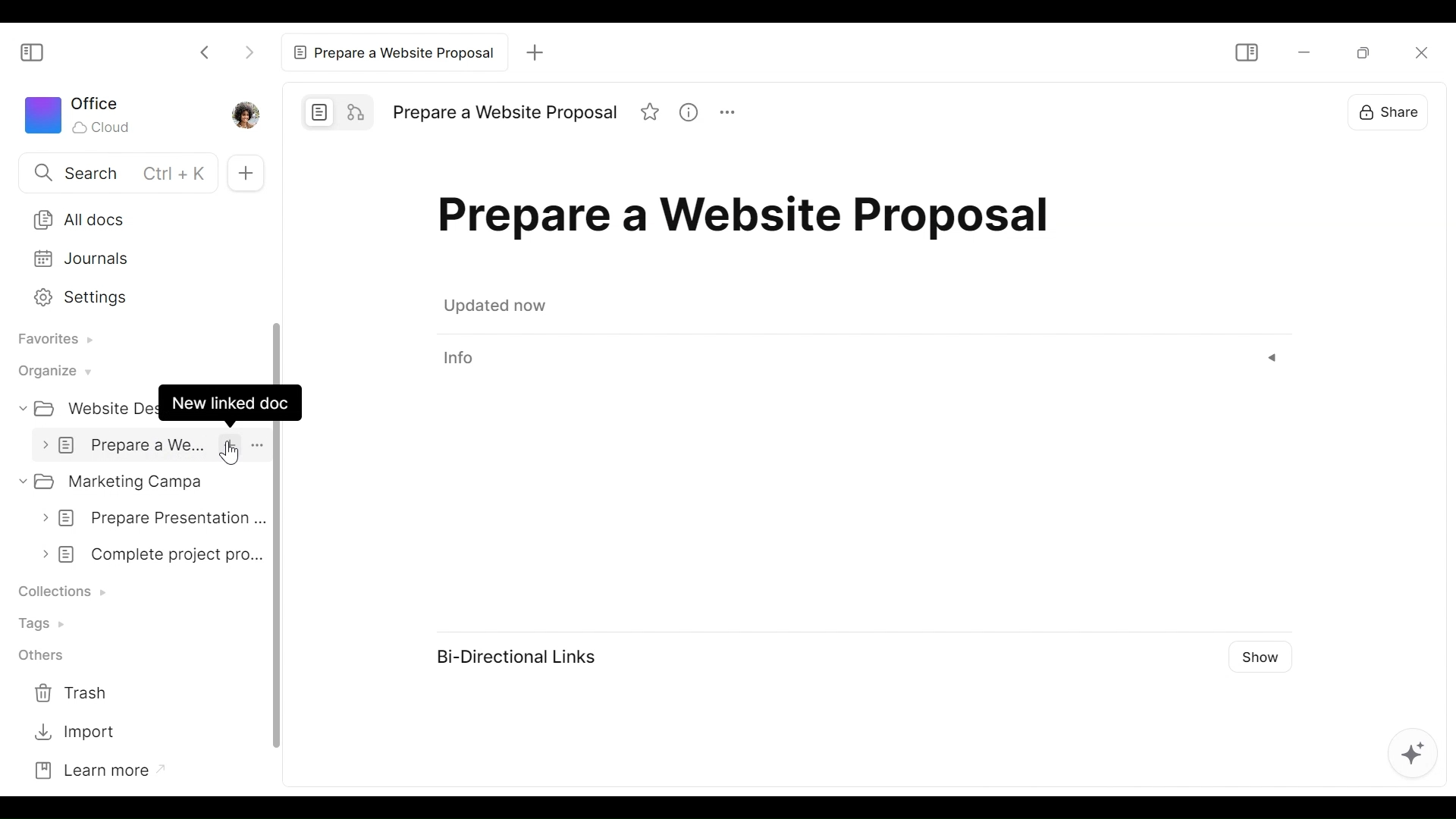  I want to click on Document, so click(146, 555).